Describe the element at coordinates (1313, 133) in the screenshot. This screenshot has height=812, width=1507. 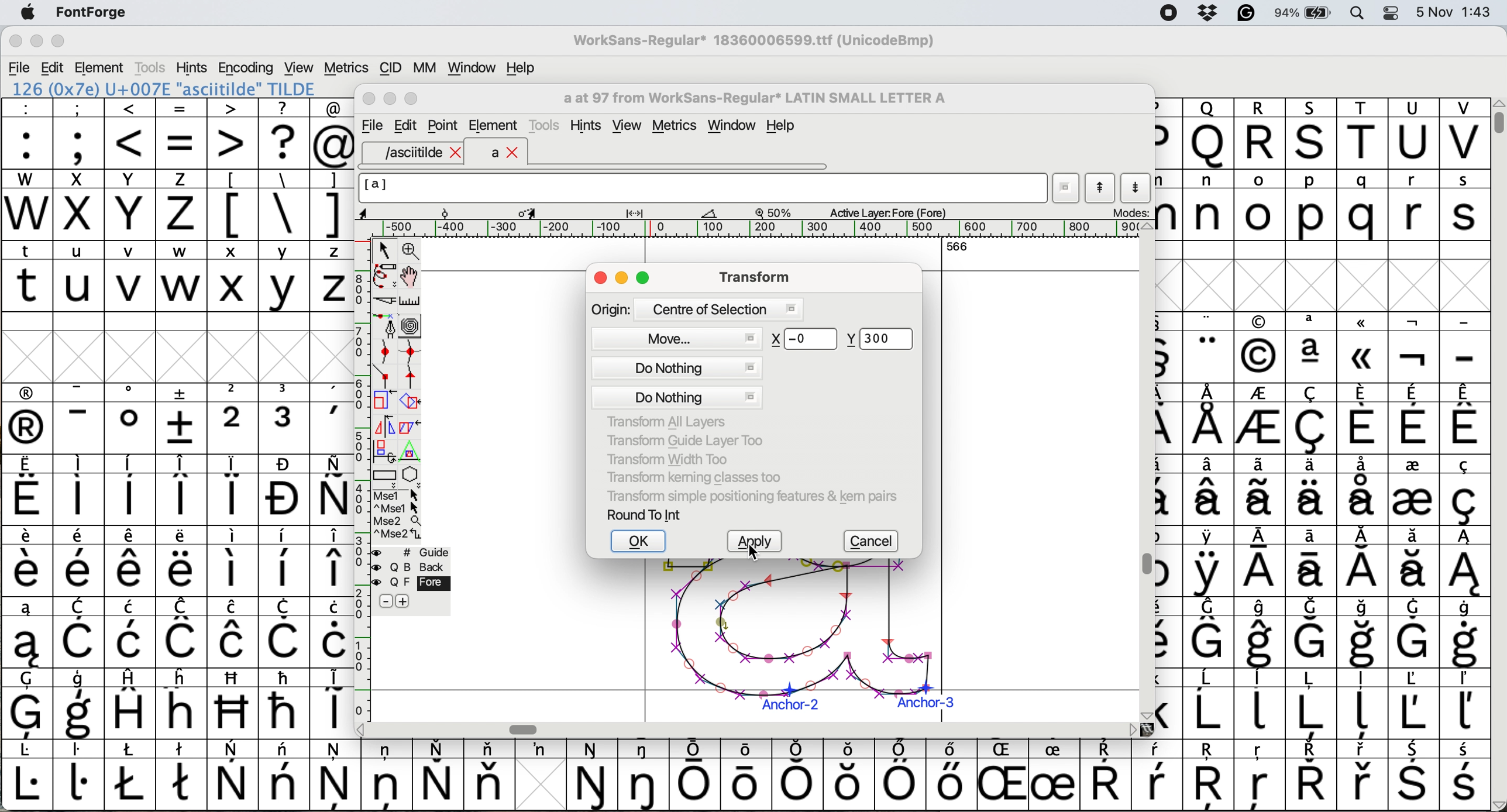
I see `` at that location.